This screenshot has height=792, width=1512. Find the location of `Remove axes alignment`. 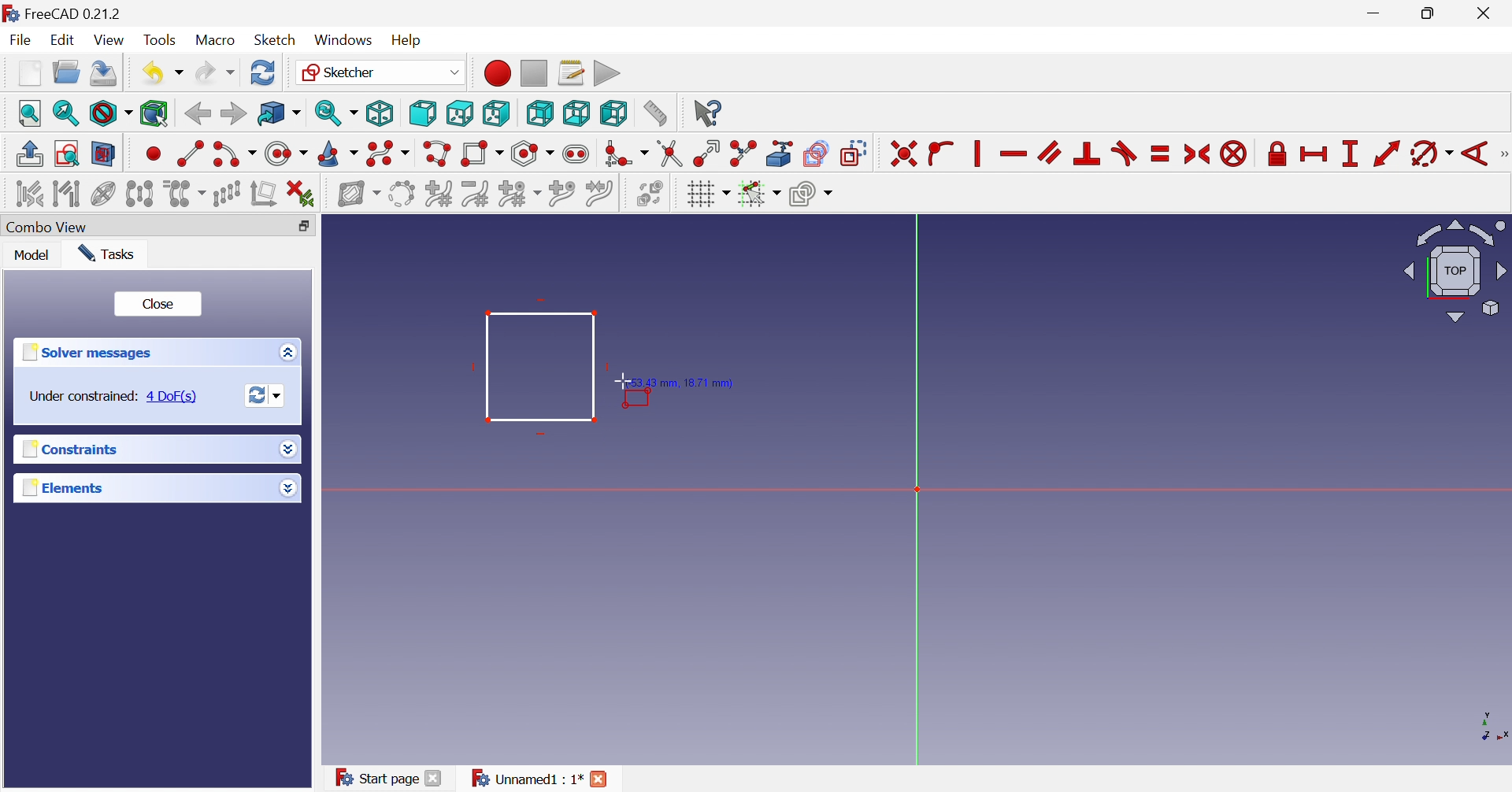

Remove axes alignment is located at coordinates (265, 195).